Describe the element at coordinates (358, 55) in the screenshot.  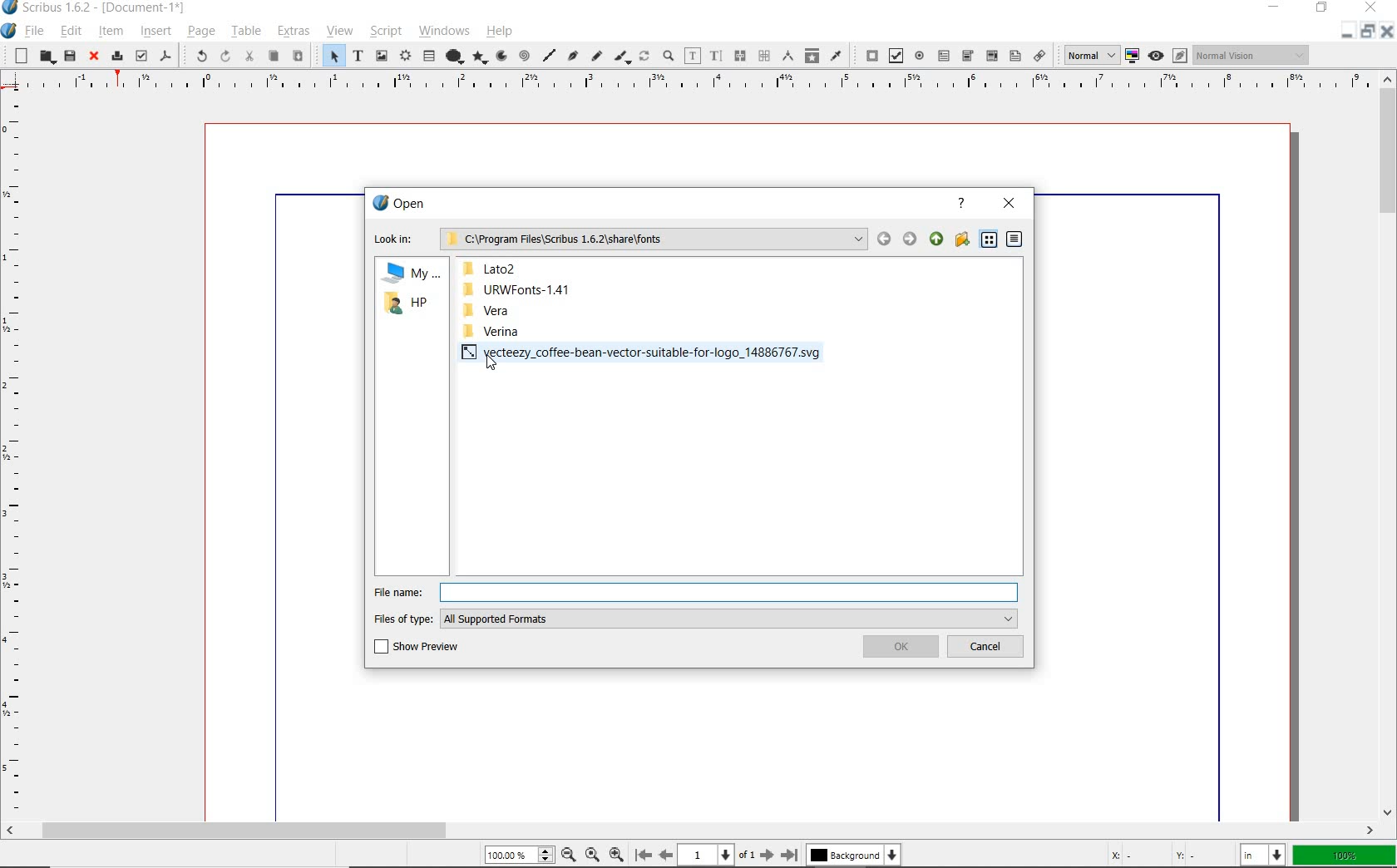
I see `text frame` at that location.